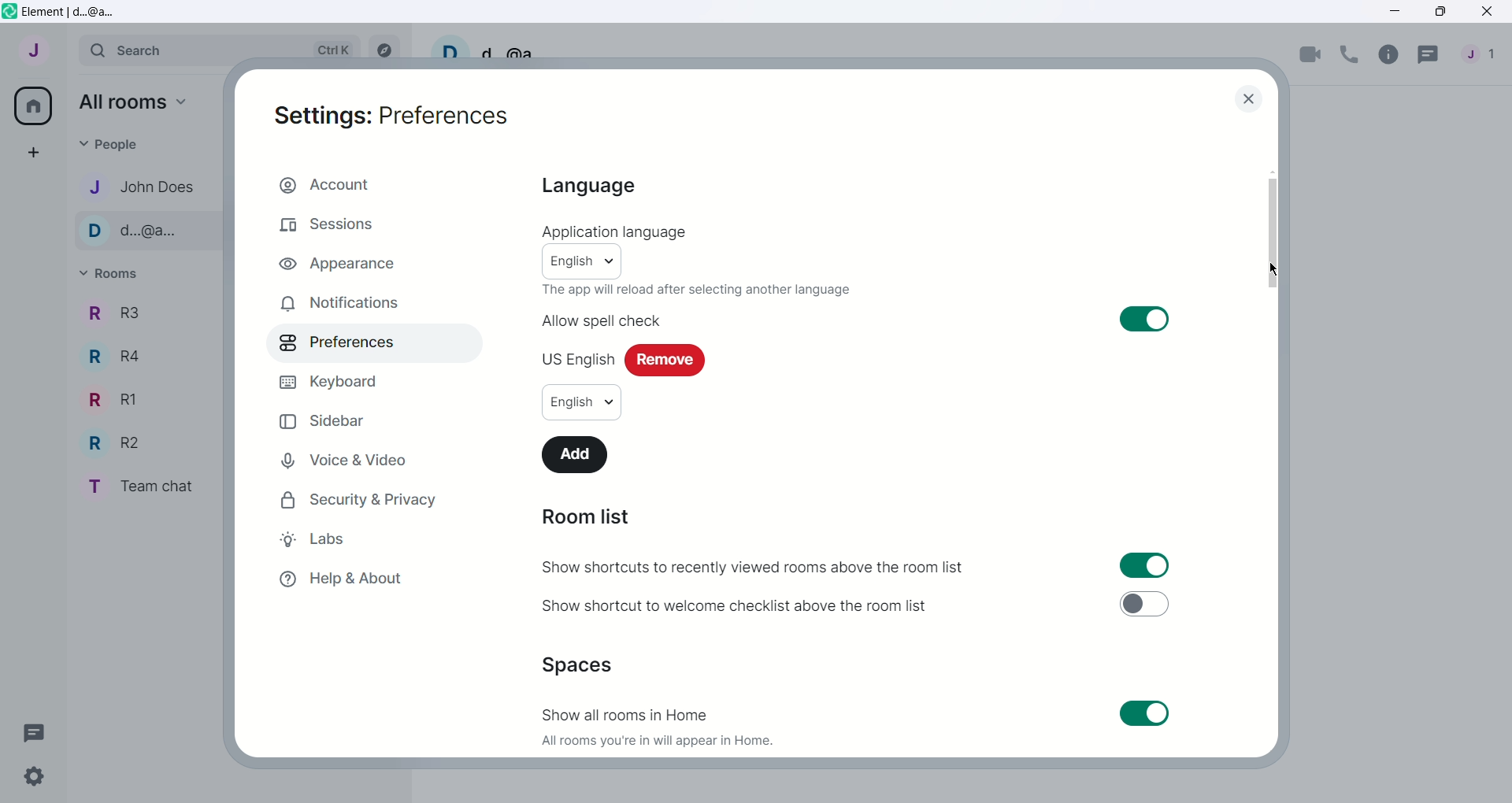 The image size is (1512, 803). Describe the element at coordinates (366, 344) in the screenshot. I see `Preferences` at that location.